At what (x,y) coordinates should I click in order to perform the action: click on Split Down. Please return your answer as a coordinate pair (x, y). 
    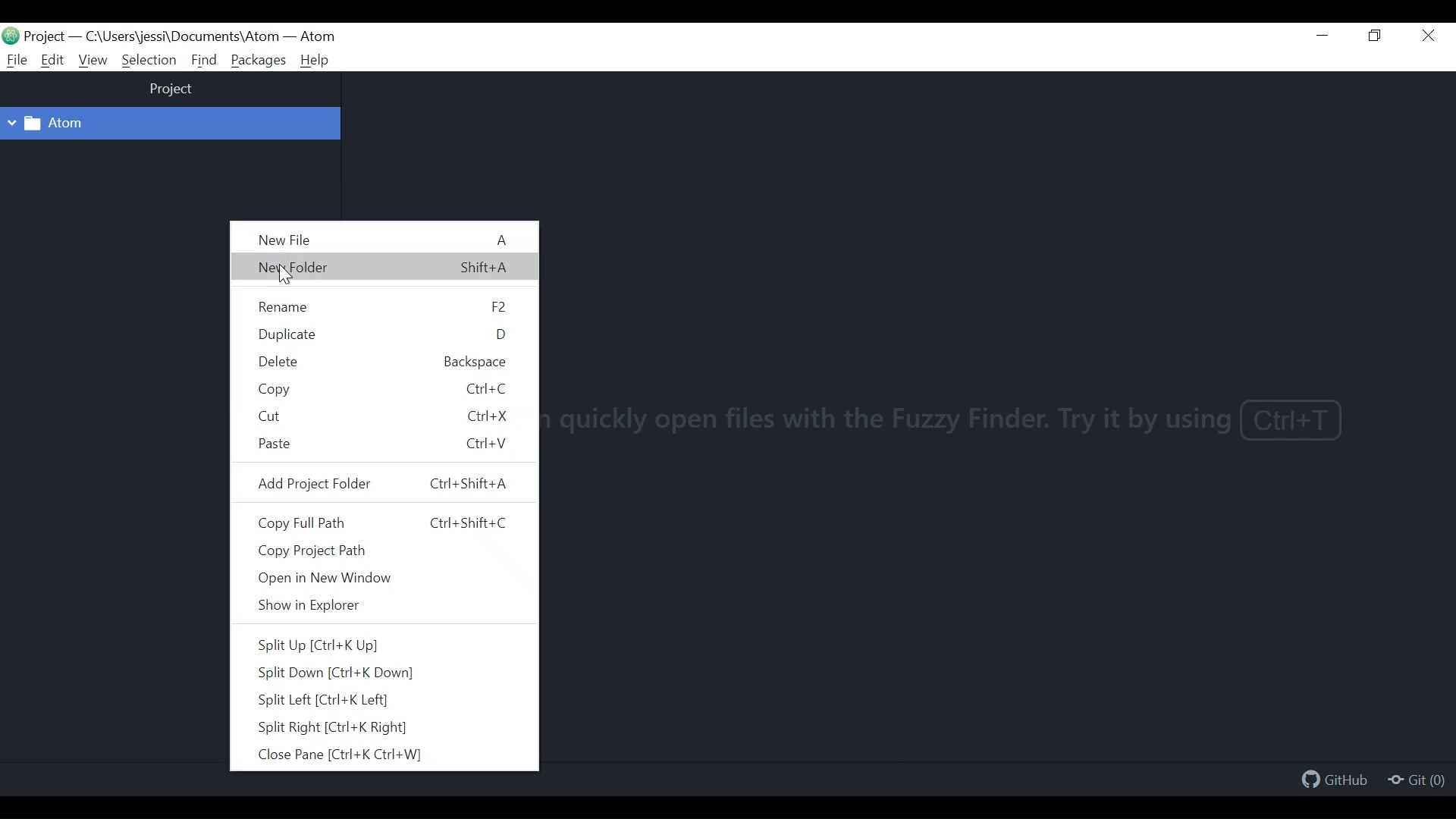
    Looking at the image, I should click on (336, 673).